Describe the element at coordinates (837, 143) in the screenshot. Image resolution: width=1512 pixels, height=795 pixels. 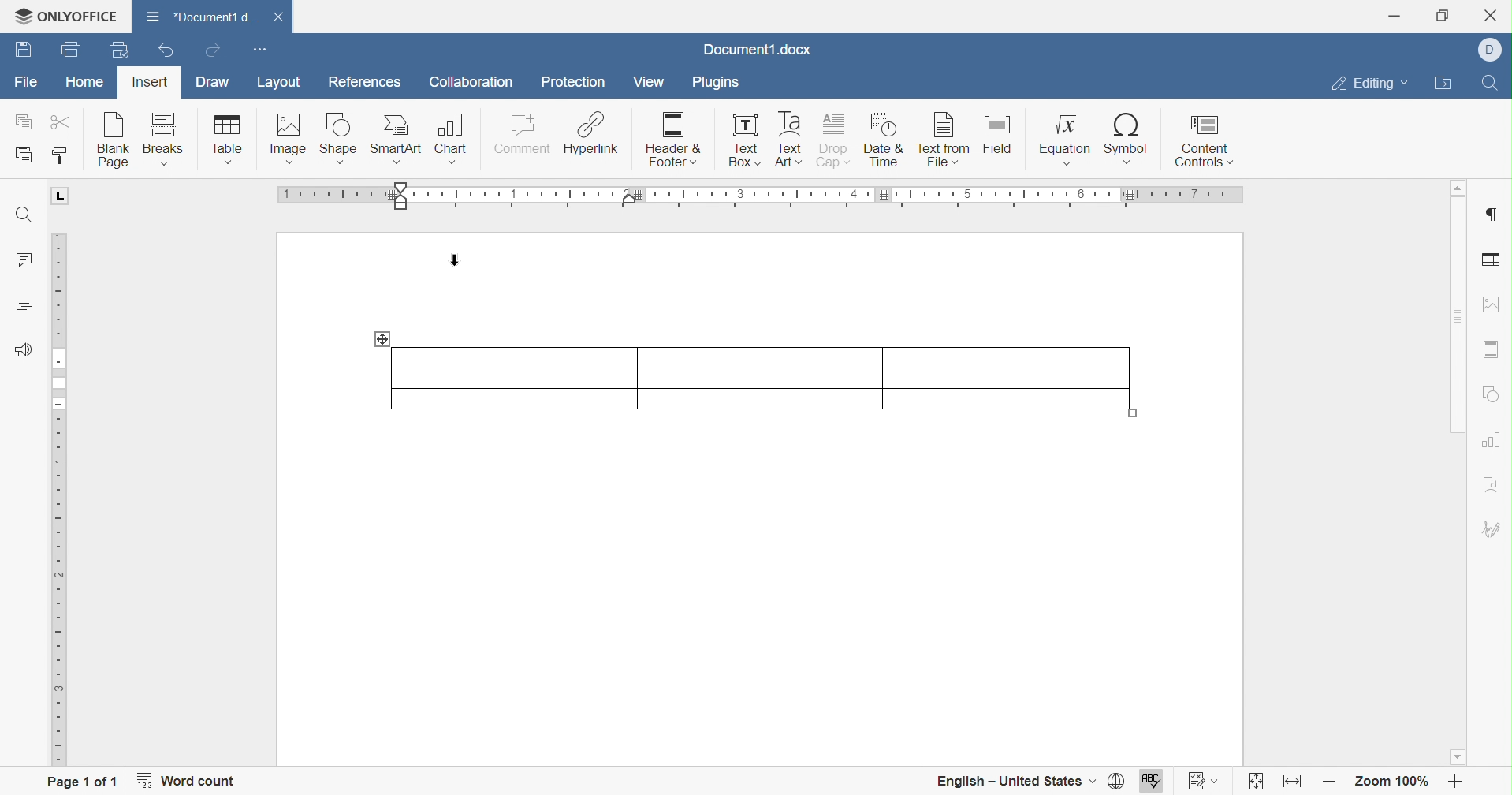
I see `Drop cap` at that location.